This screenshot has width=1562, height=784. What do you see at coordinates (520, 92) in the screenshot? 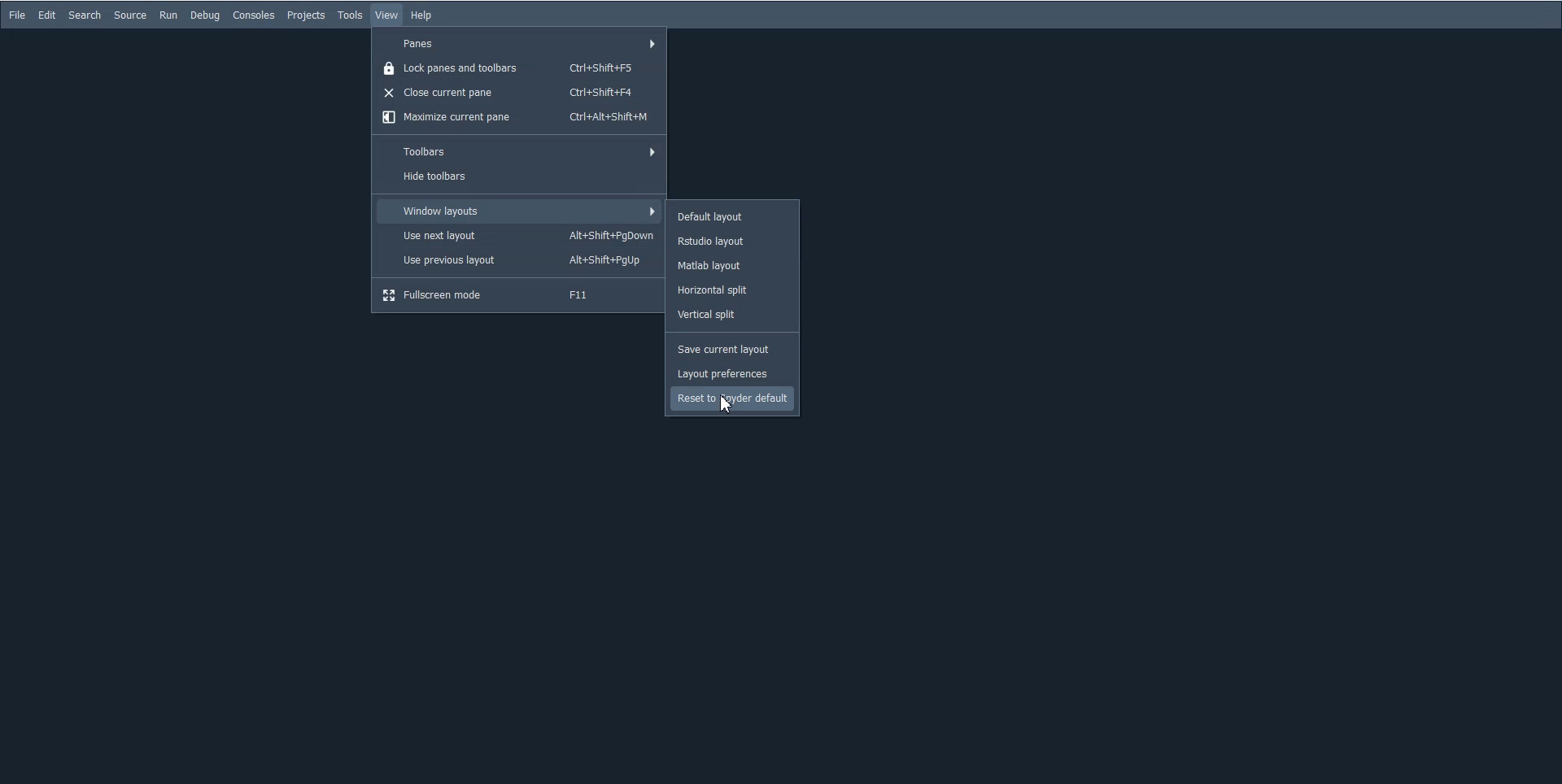
I see `Close current pane` at bounding box center [520, 92].